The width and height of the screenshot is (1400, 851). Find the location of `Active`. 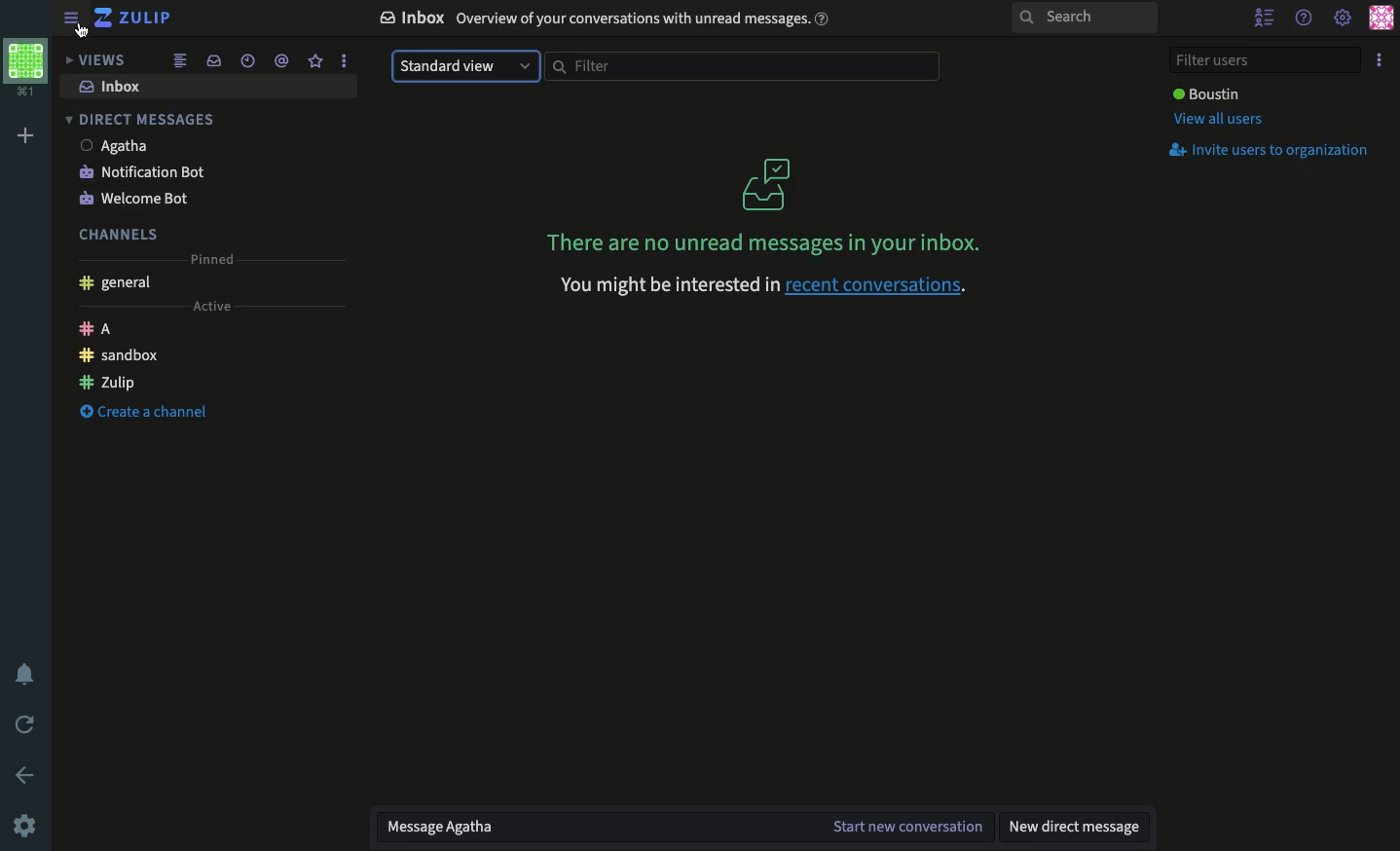

Active is located at coordinates (213, 307).